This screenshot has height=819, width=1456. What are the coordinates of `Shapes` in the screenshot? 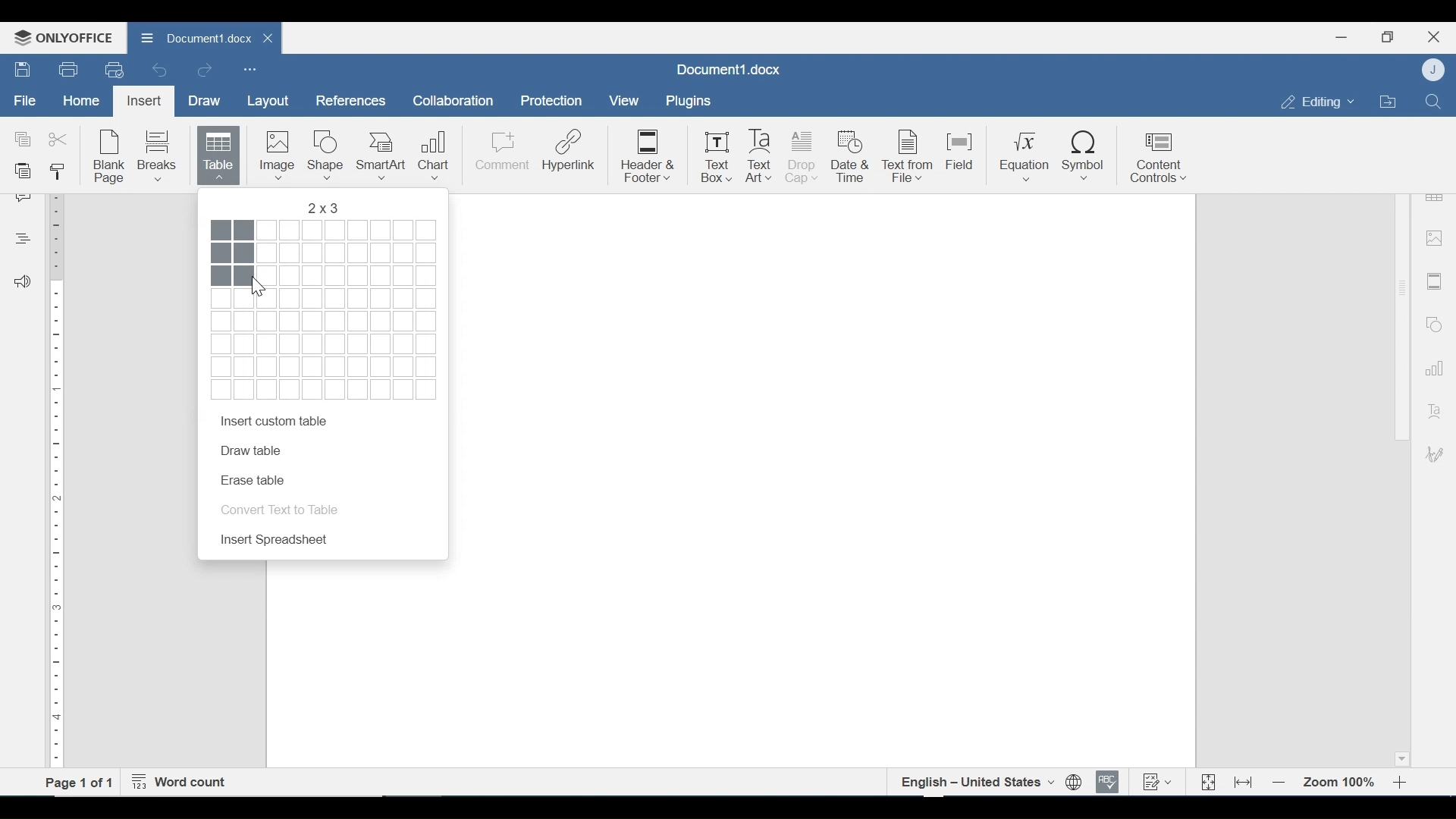 It's located at (1432, 322).